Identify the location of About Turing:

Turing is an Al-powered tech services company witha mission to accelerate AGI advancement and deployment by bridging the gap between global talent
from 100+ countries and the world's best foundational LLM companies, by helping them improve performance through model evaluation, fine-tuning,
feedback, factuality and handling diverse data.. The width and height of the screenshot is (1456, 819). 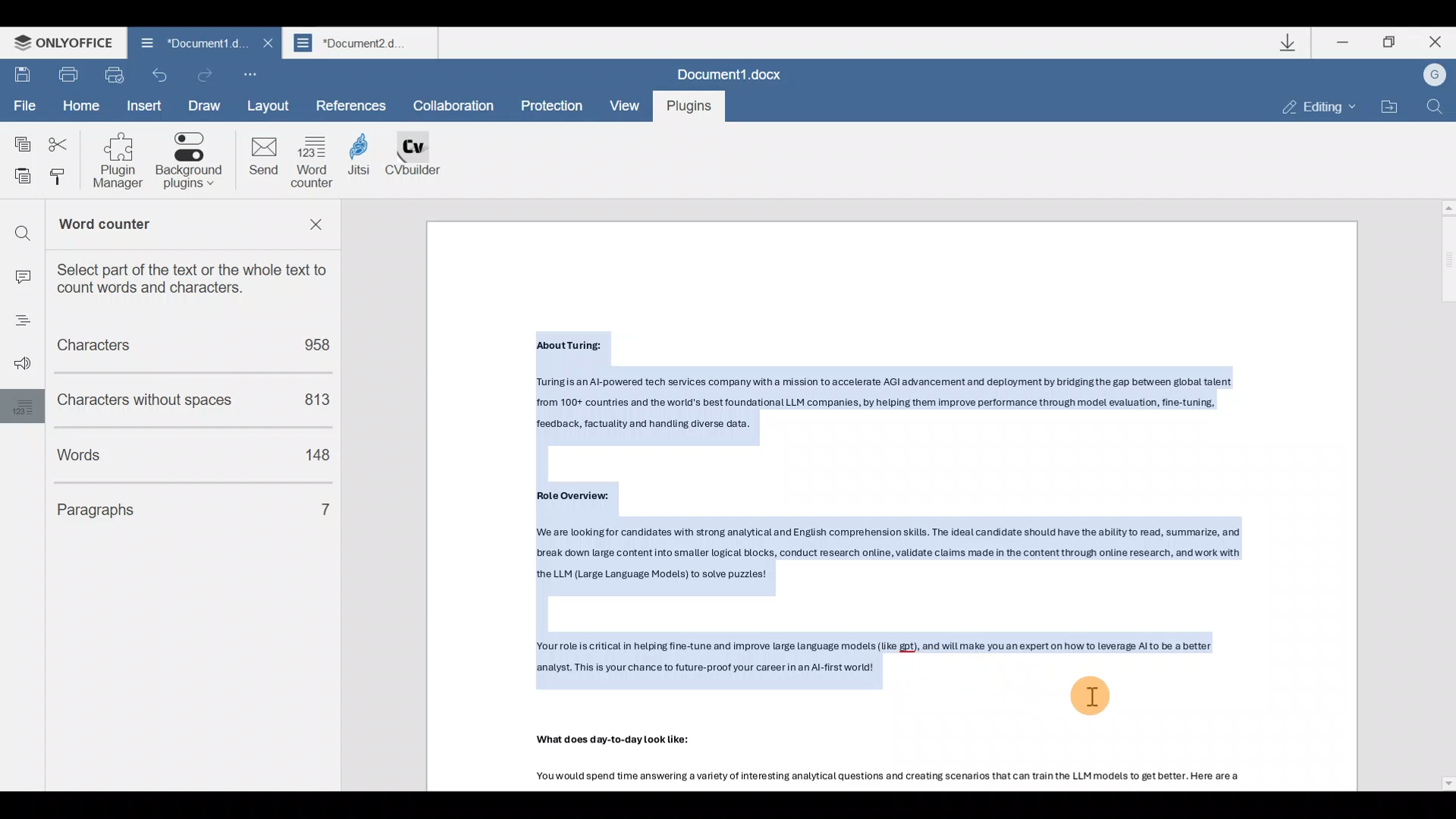
(899, 385).